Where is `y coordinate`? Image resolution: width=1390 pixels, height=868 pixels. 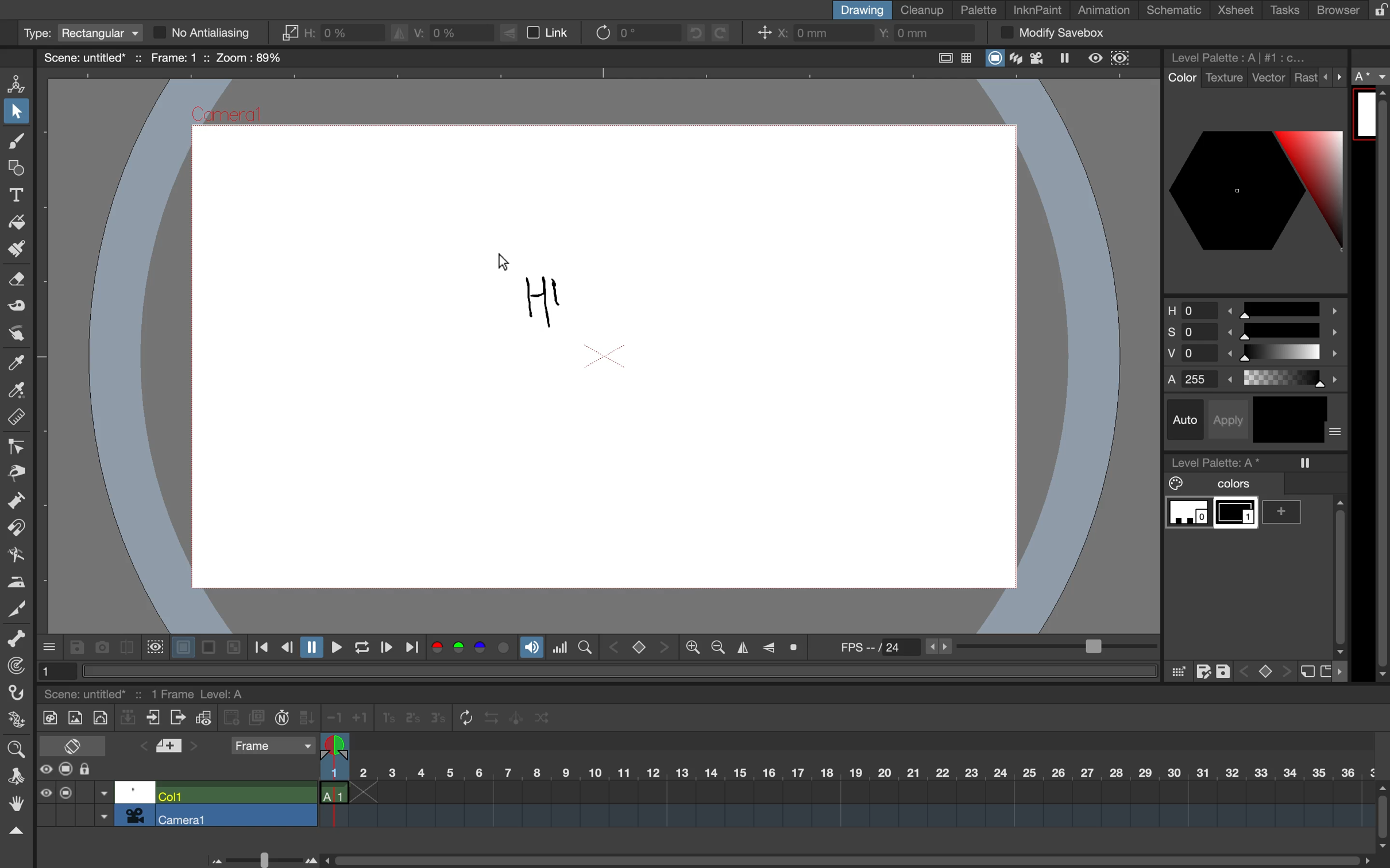 y coordinate is located at coordinates (921, 34).